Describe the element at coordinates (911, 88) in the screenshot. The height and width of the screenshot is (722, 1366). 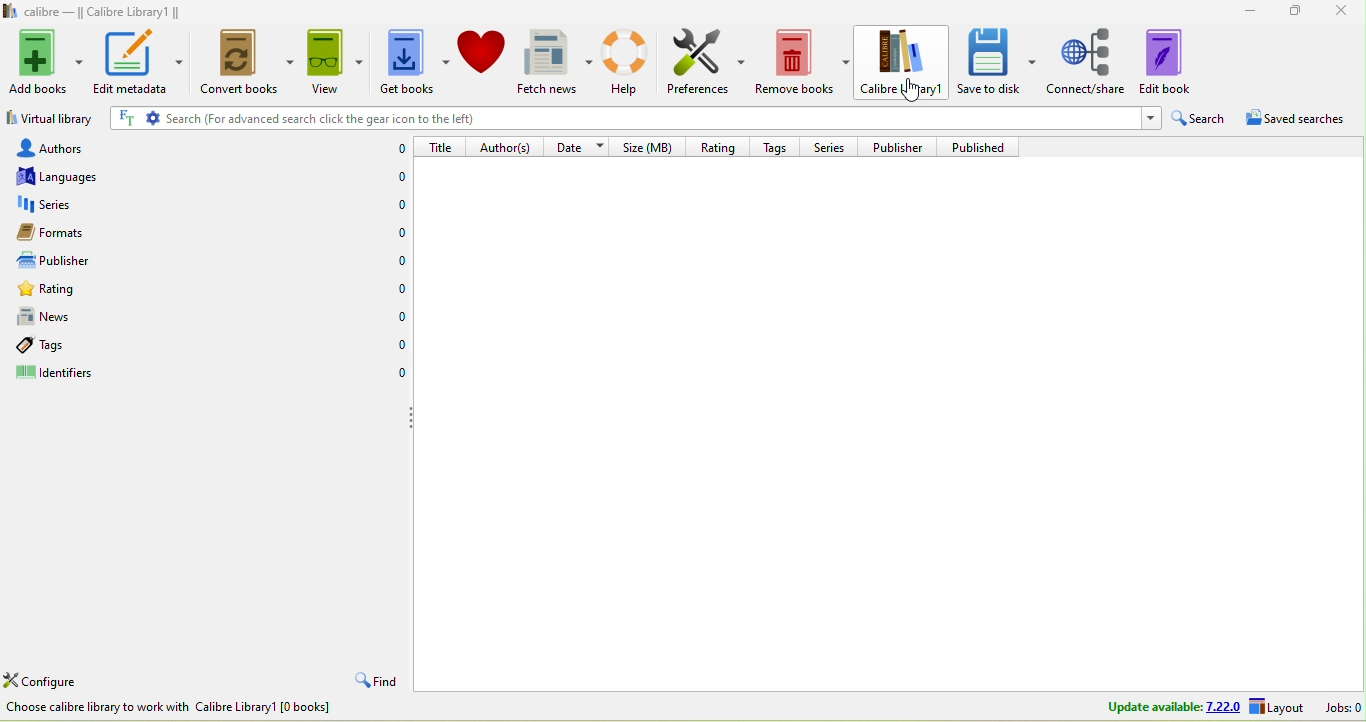
I see `cursor` at that location.